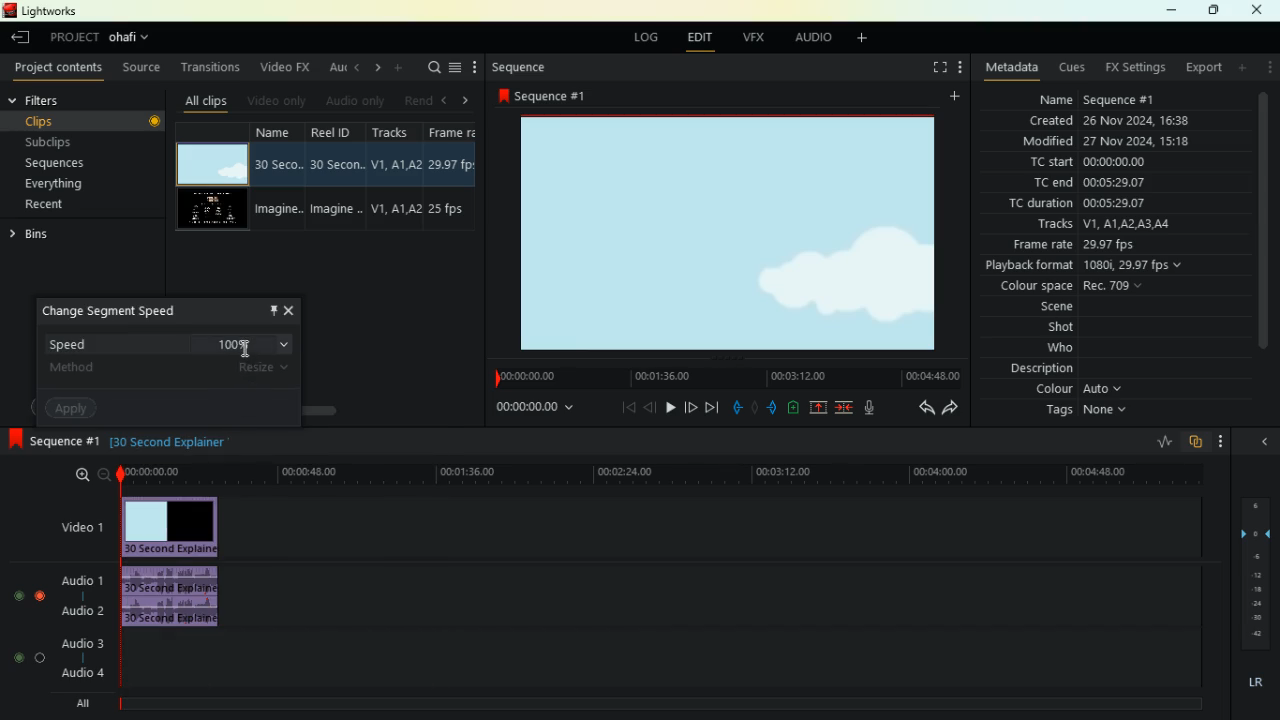 The image size is (1280, 720). What do you see at coordinates (78, 610) in the screenshot?
I see `audio2` at bounding box center [78, 610].